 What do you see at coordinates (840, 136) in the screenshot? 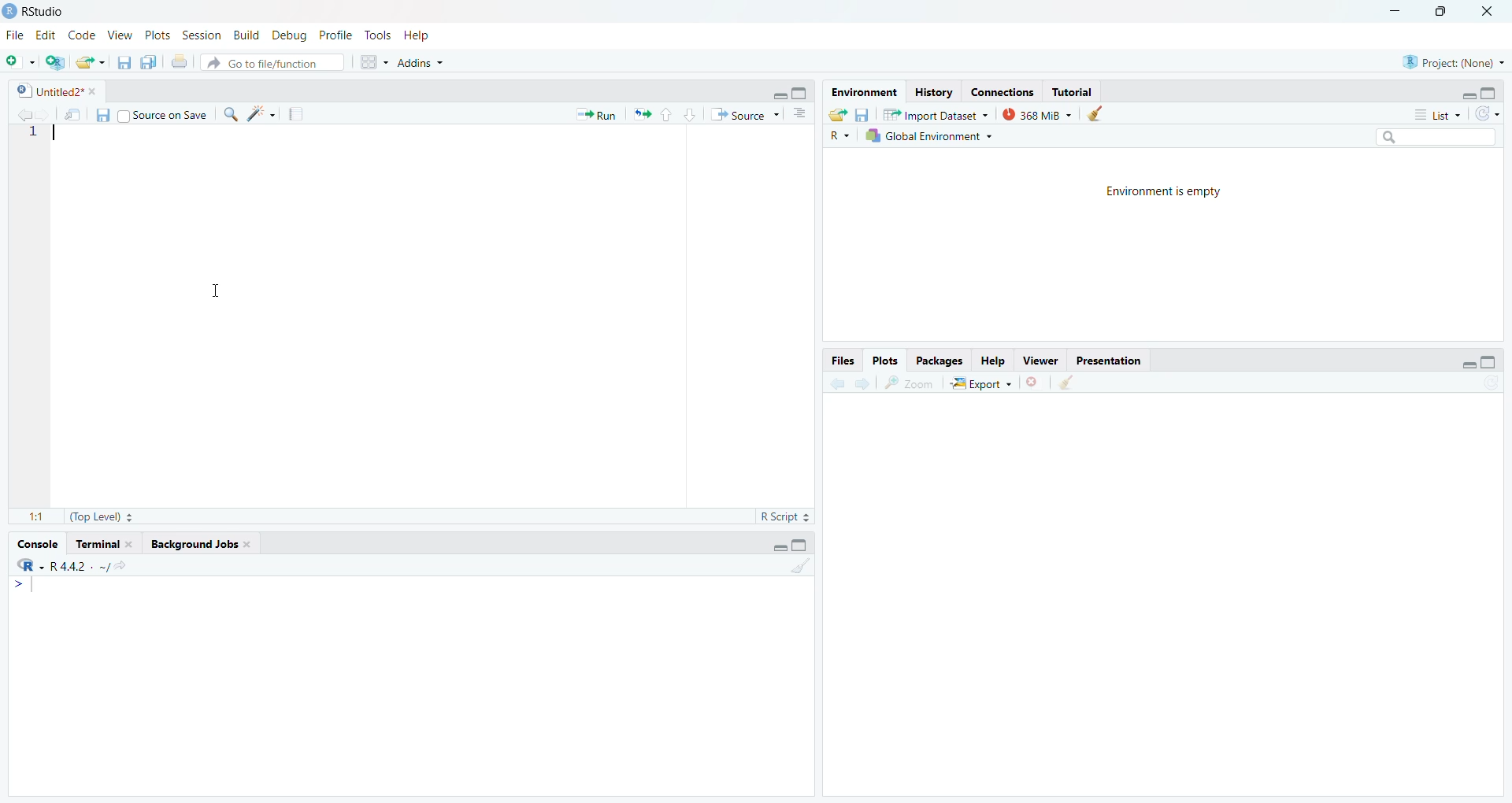
I see `R ~` at bounding box center [840, 136].